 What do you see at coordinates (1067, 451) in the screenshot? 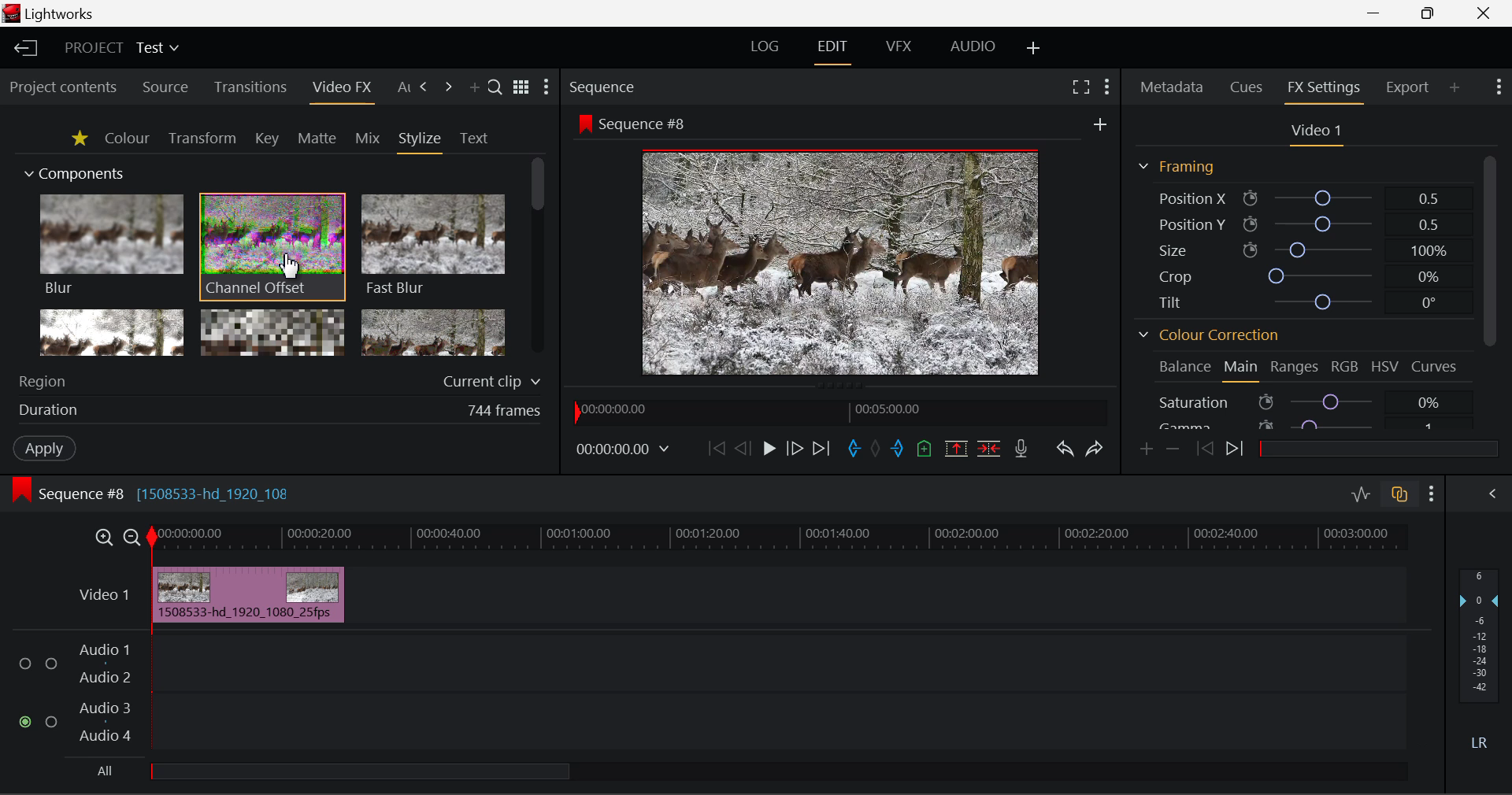
I see `Undo` at bounding box center [1067, 451].